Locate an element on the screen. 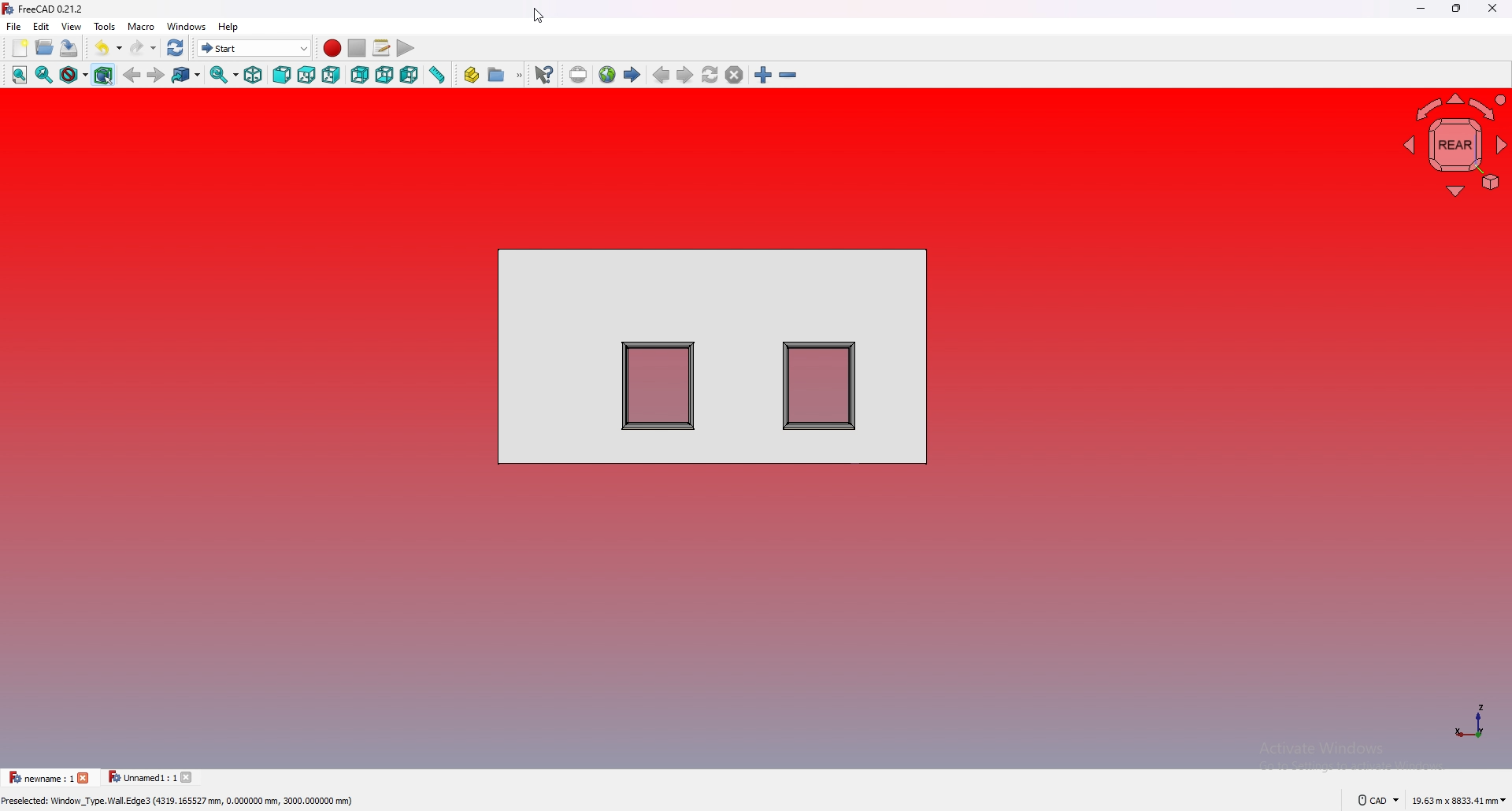 The height and width of the screenshot is (811, 1512). macros is located at coordinates (381, 48).